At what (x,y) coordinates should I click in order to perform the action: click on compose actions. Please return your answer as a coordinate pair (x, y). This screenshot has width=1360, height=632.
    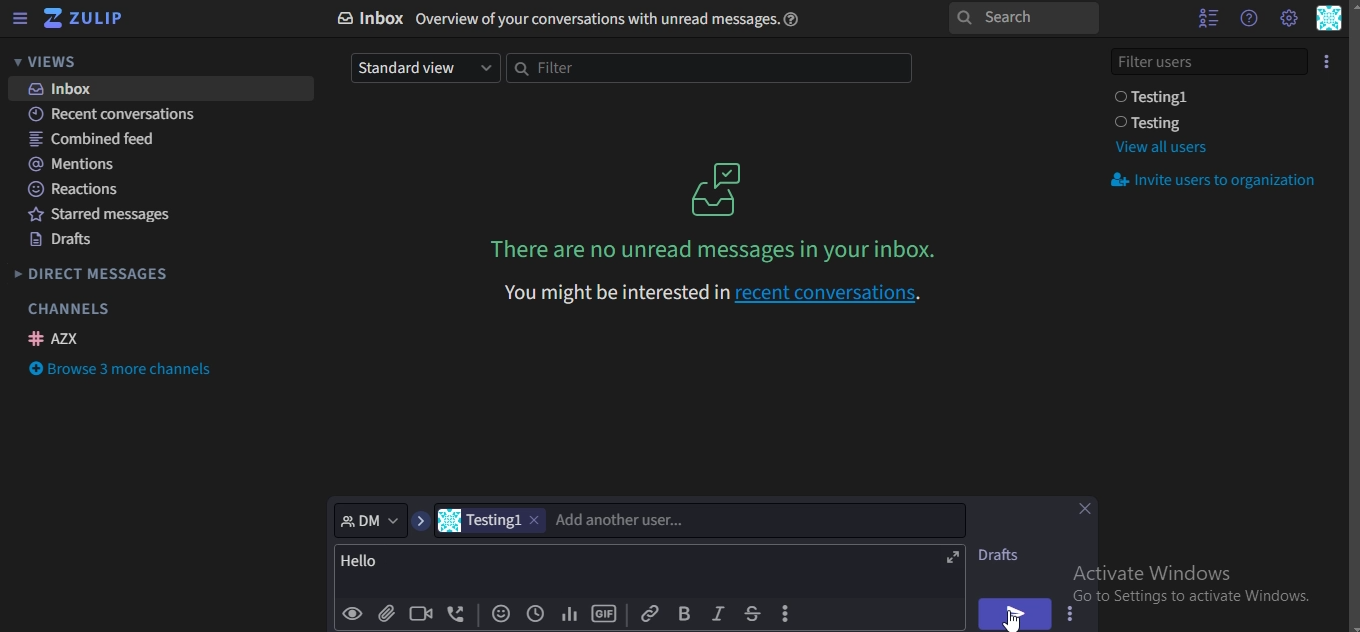
    Looking at the image, I should click on (788, 614).